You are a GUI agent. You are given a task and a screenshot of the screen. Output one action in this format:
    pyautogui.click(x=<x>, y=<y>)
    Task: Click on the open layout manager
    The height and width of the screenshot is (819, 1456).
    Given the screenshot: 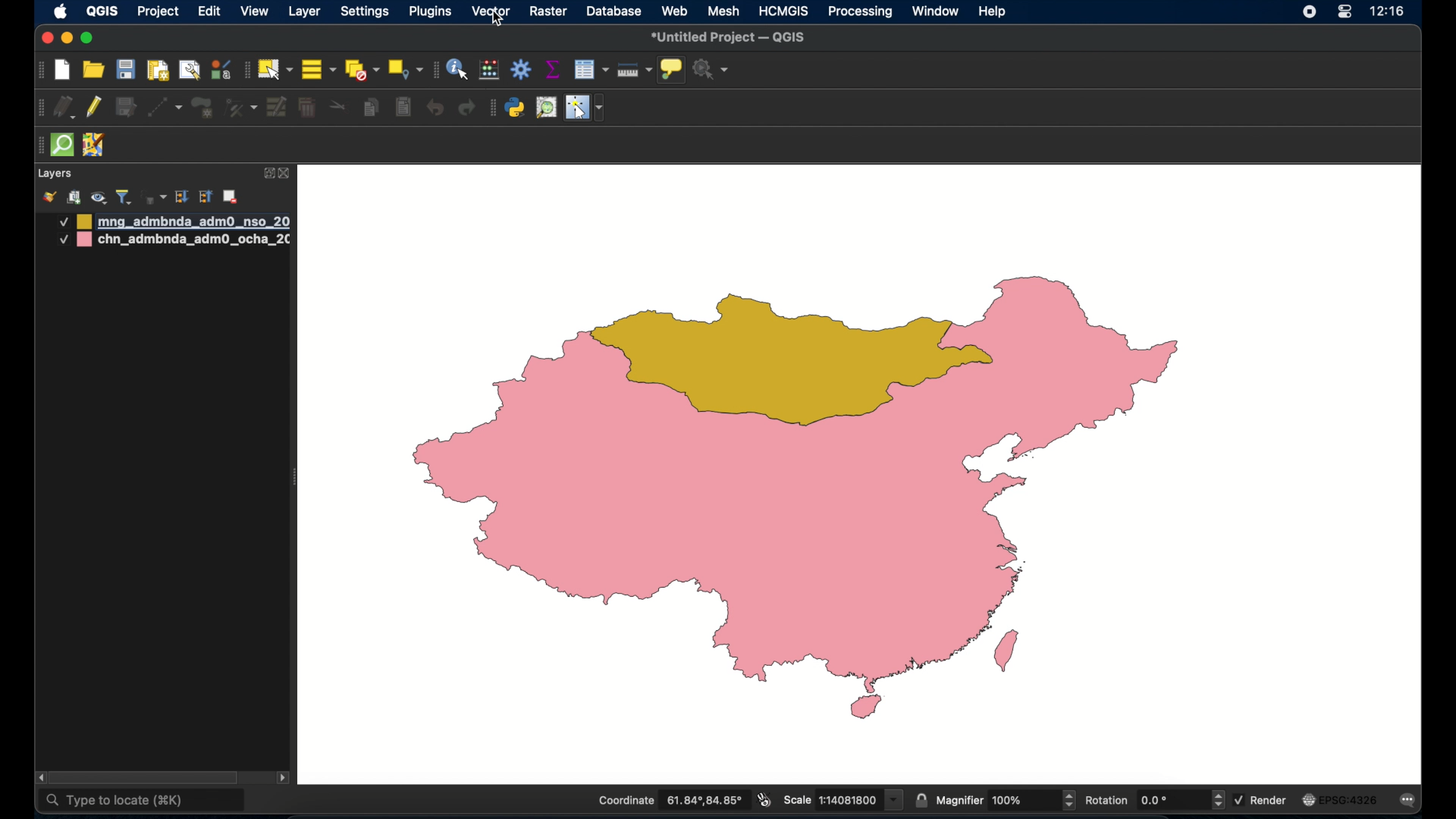 What is the action you would take?
    pyautogui.click(x=189, y=70)
    